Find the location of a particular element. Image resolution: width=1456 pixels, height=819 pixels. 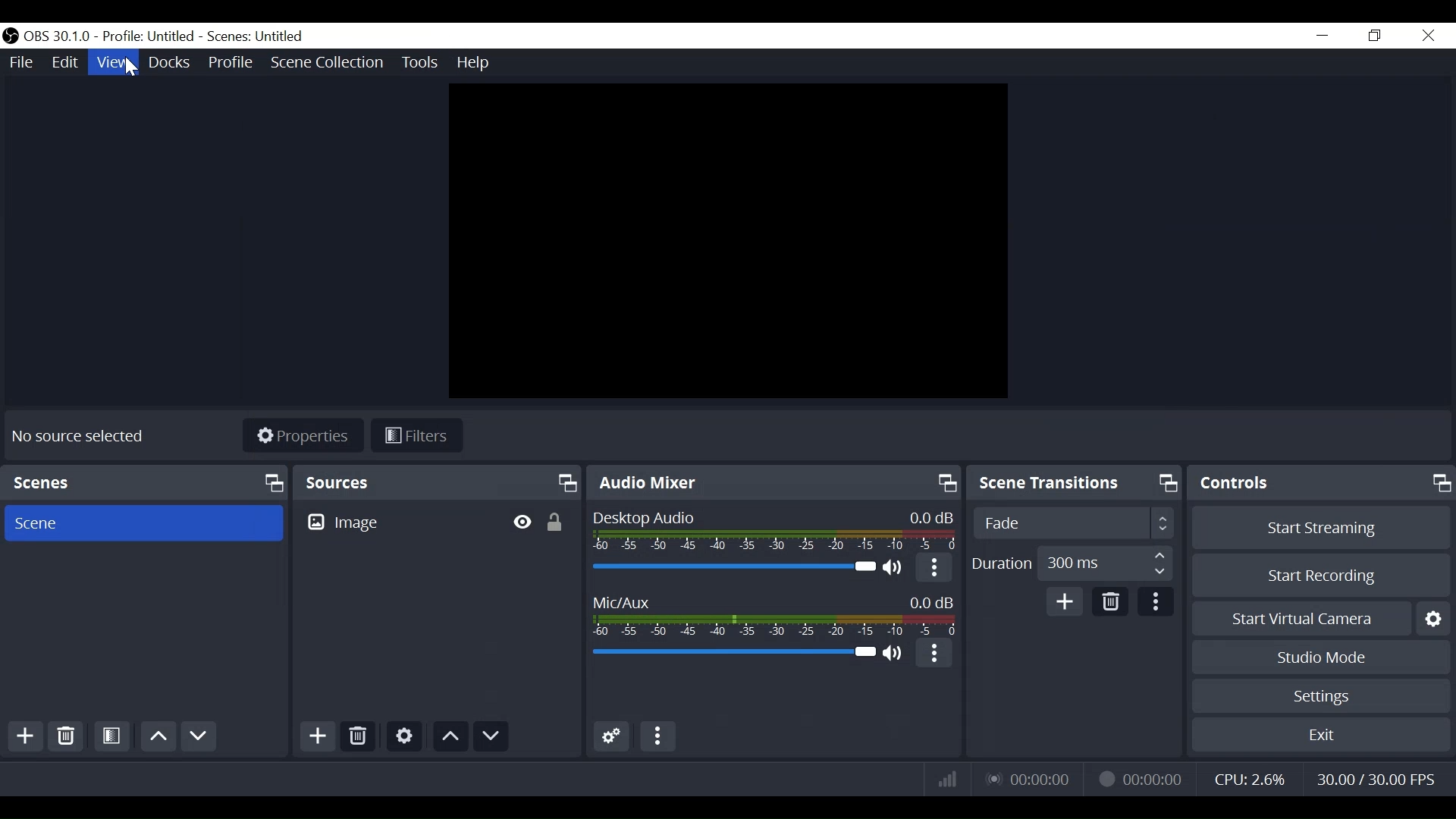

Open Scene Filter is located at coordinates (111, 737).